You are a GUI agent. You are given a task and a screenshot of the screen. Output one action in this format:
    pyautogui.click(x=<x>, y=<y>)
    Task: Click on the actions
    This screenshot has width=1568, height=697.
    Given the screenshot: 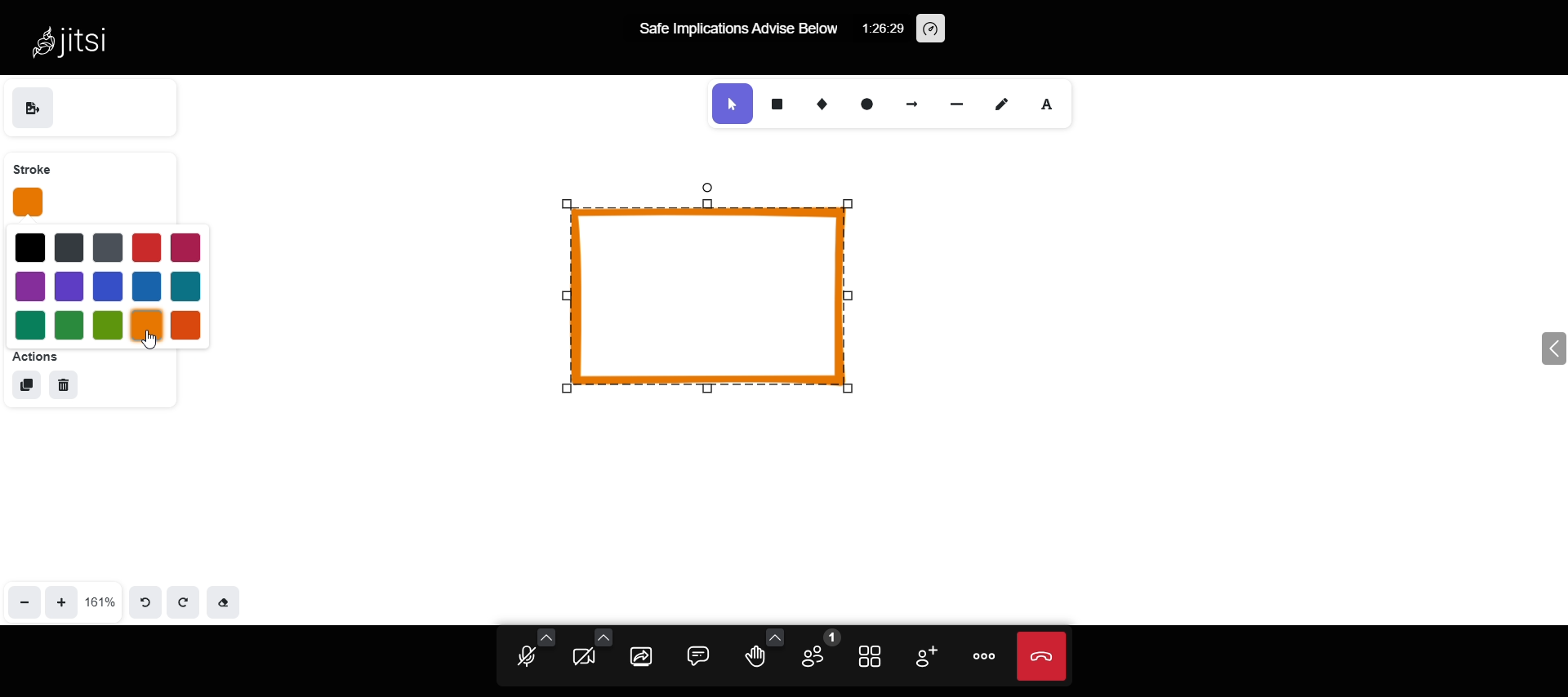 What is the action you would take?
    pyautogui.click(x=42, y=354)
    